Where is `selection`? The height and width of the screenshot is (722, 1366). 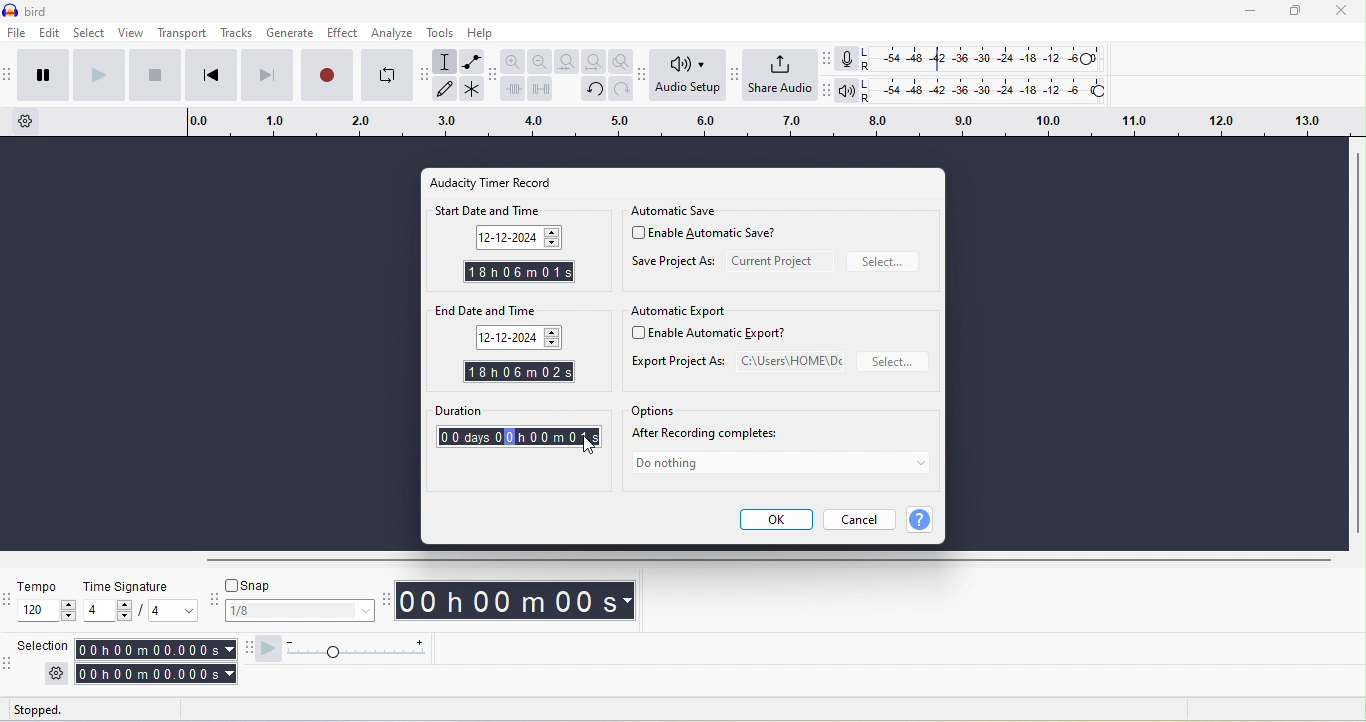 selection is located at coordinates (44, 648).